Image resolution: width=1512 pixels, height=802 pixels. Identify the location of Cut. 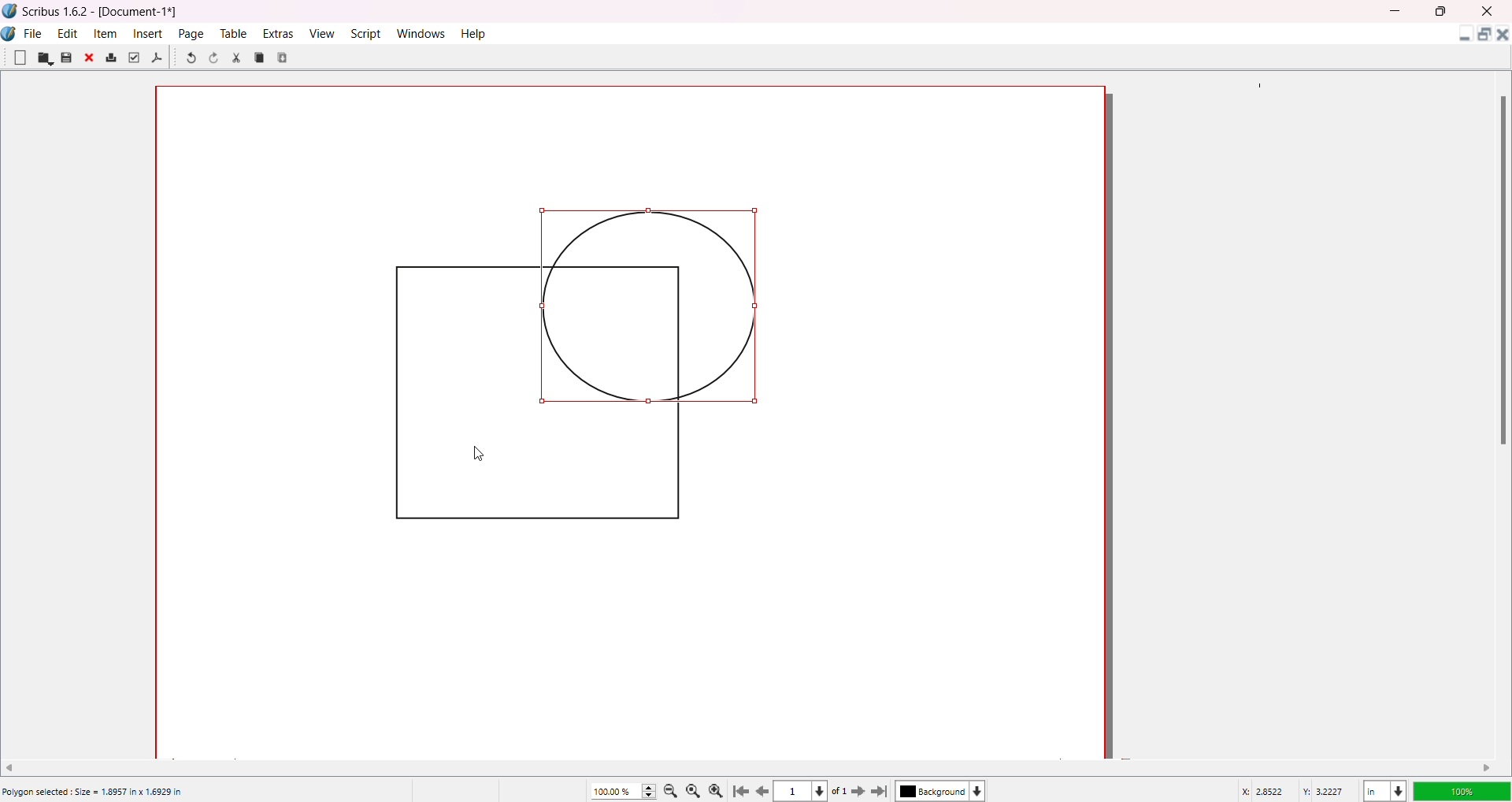
(236, 58).